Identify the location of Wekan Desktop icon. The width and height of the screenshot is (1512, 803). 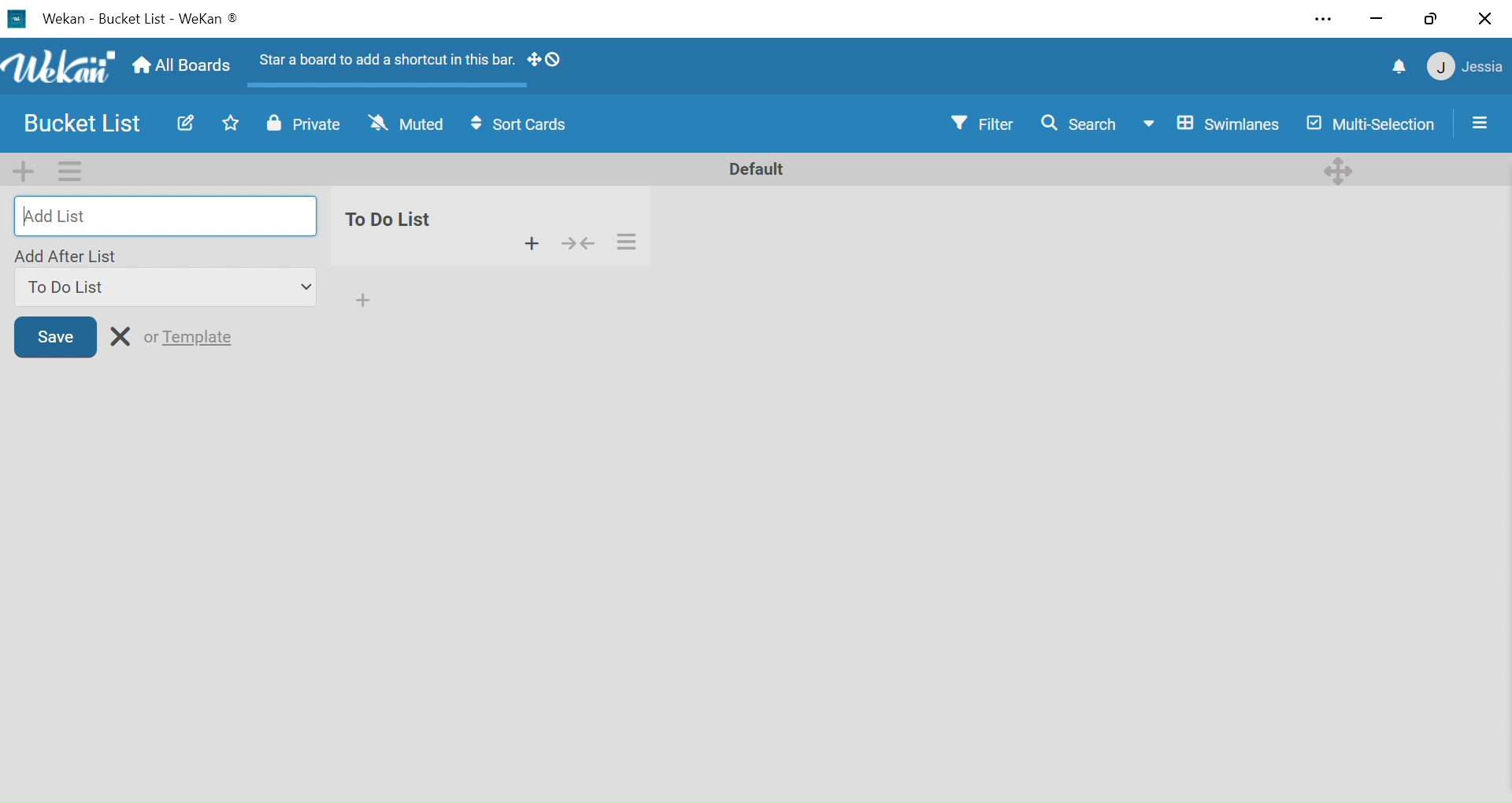
(16, 19).